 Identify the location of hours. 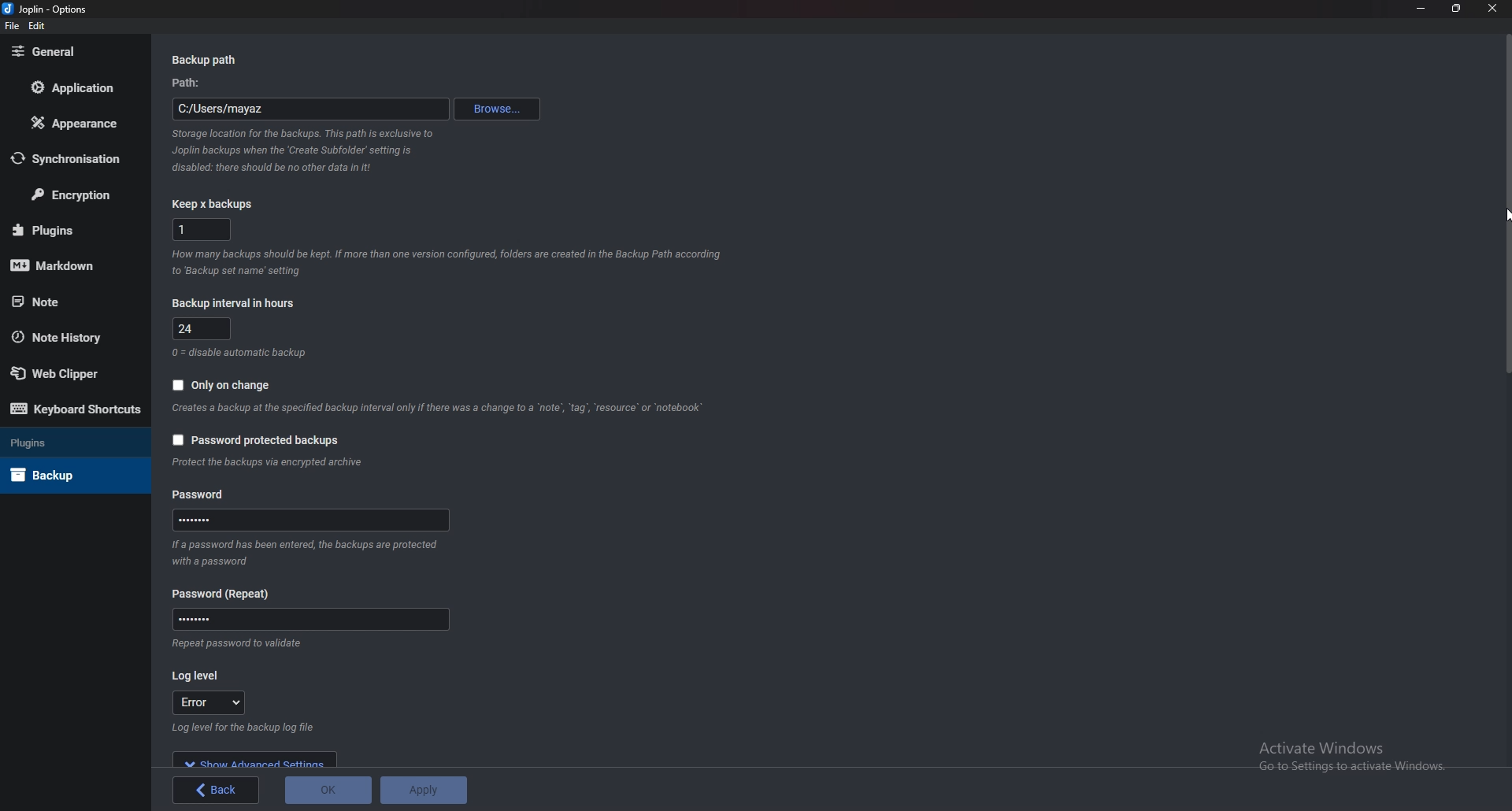
(203, 328).